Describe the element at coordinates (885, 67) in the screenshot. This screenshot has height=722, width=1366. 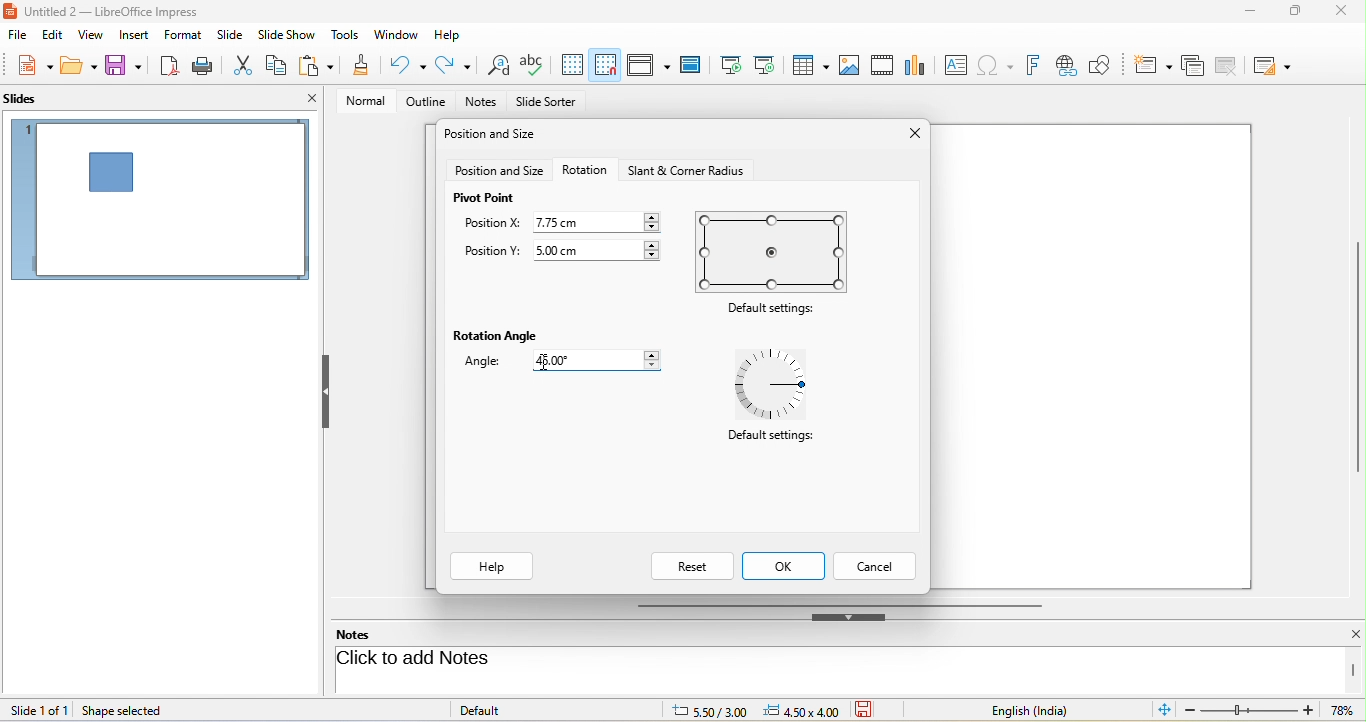
I see `audio or video` at that location.